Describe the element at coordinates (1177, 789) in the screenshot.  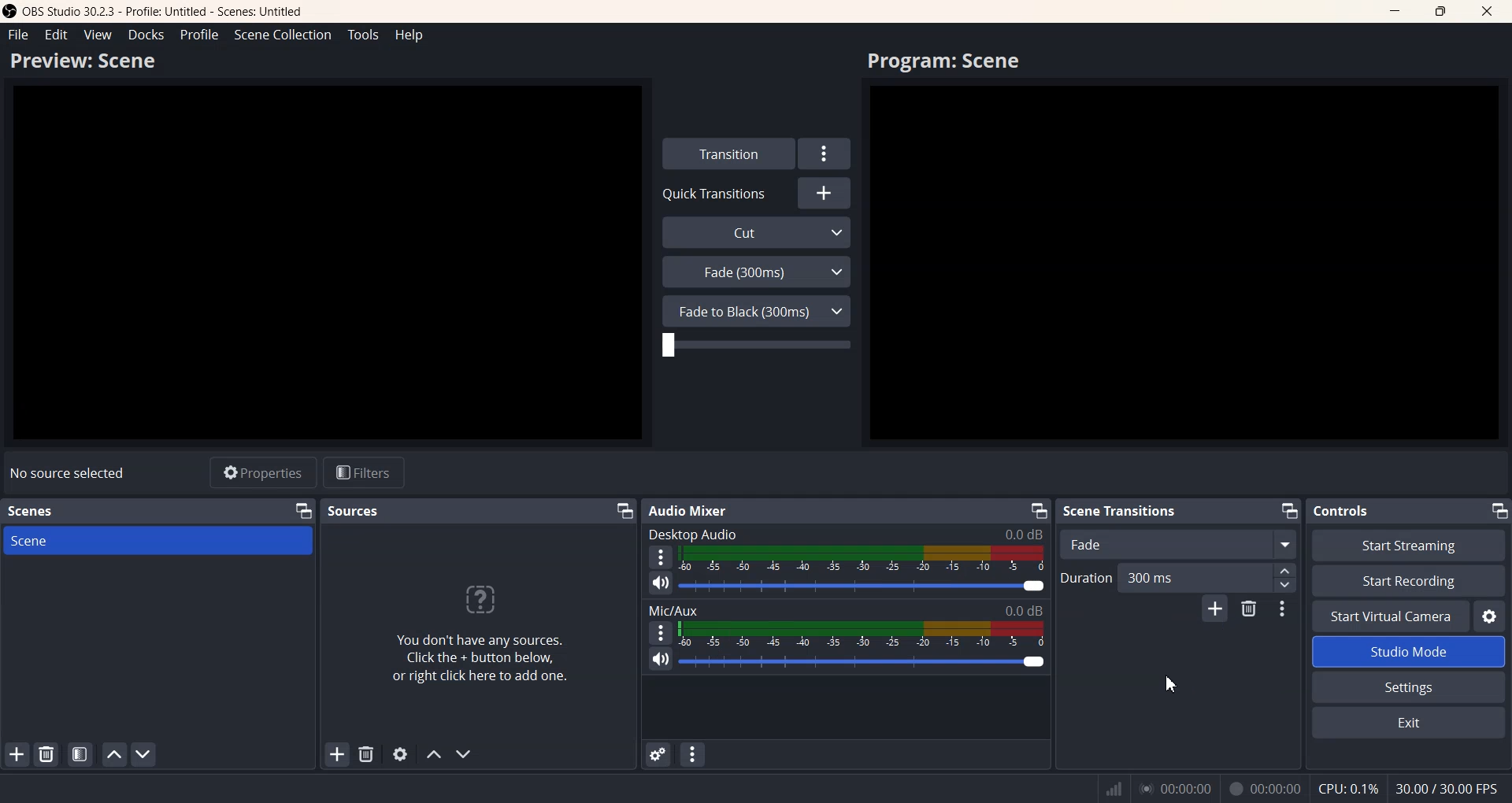
I see `00.00.00` at that location.